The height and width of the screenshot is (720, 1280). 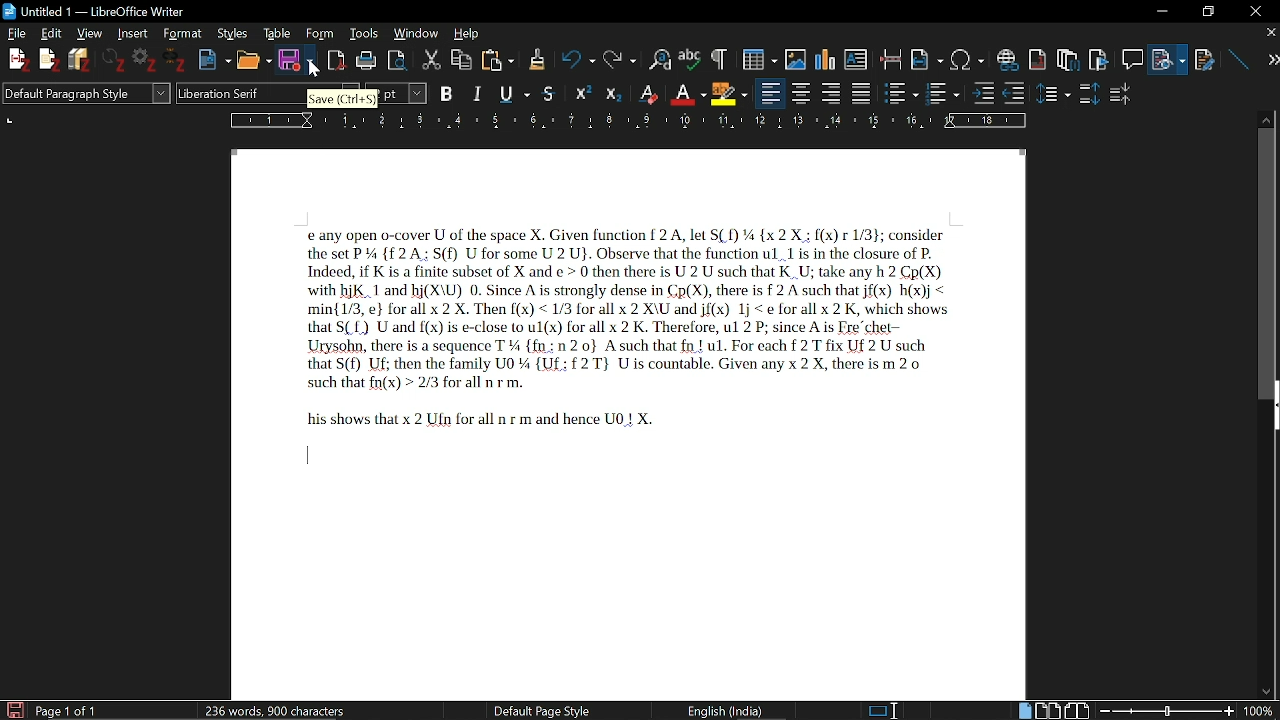 I want to click on English(India), so click(x=733, y=709).